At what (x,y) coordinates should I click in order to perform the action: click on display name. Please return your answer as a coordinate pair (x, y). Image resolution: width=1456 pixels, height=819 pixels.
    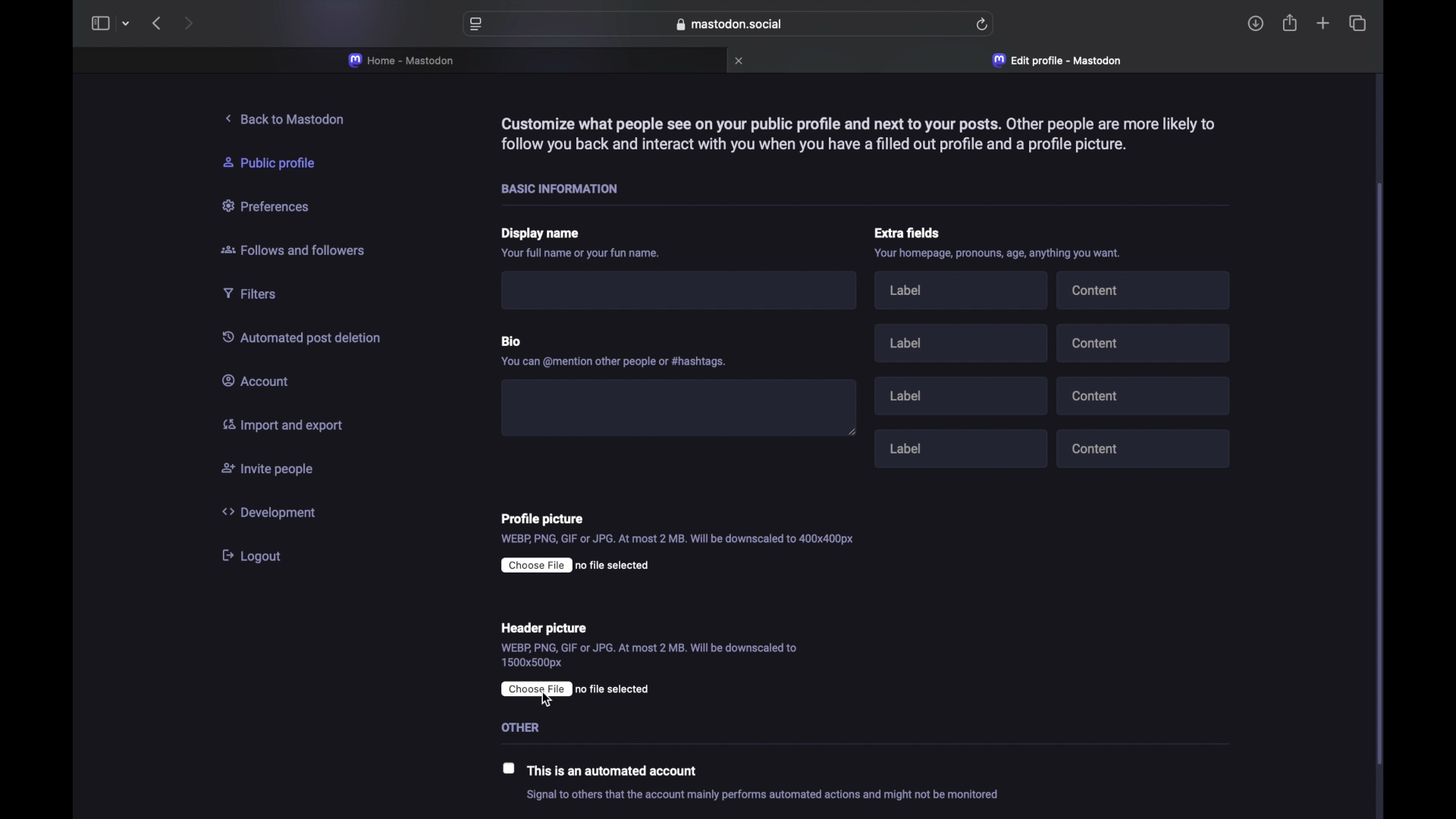
    Looking at the image, I should click on (542, 235).